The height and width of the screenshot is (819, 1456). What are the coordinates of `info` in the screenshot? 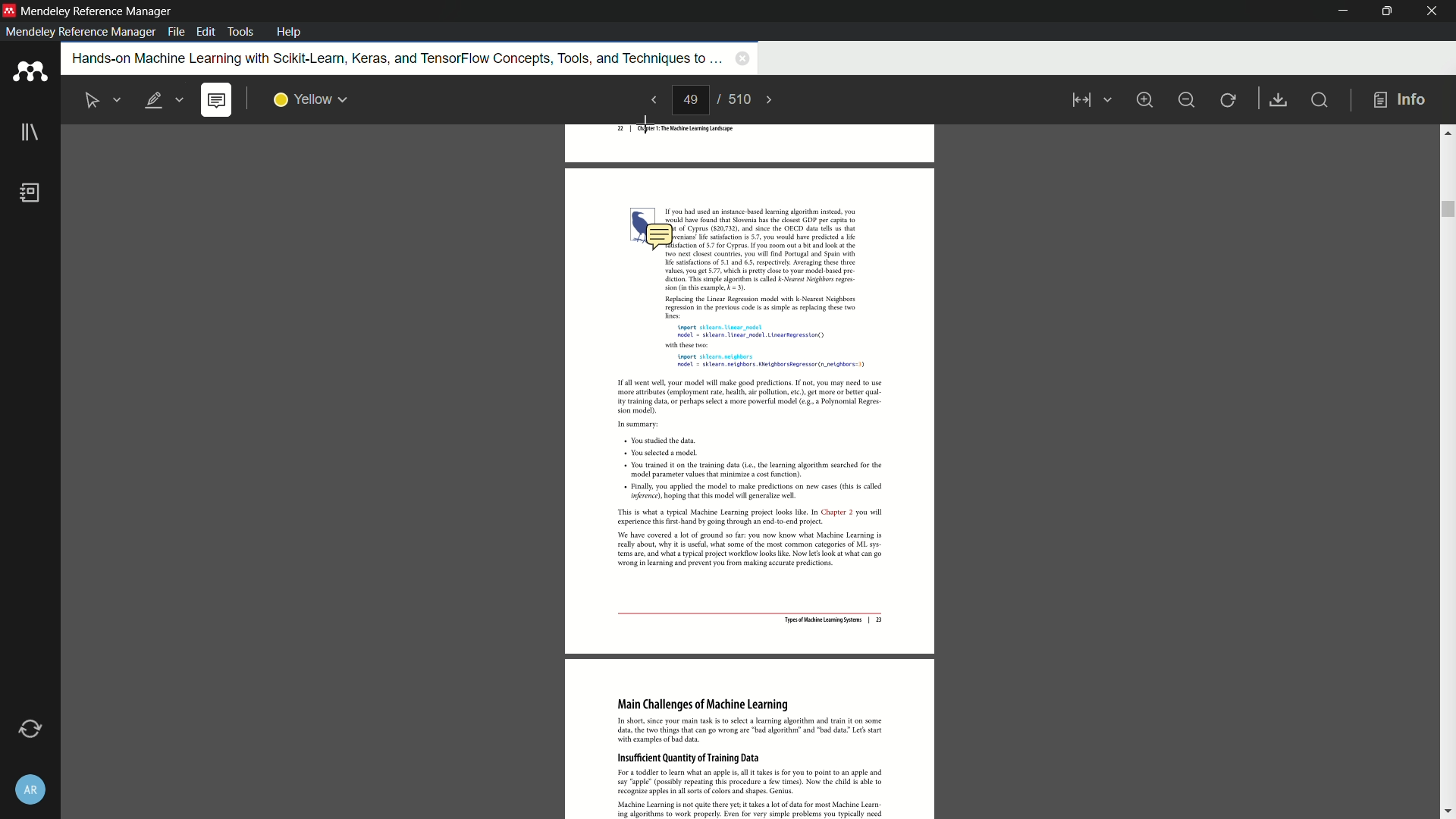 It's located at (1400, 99).